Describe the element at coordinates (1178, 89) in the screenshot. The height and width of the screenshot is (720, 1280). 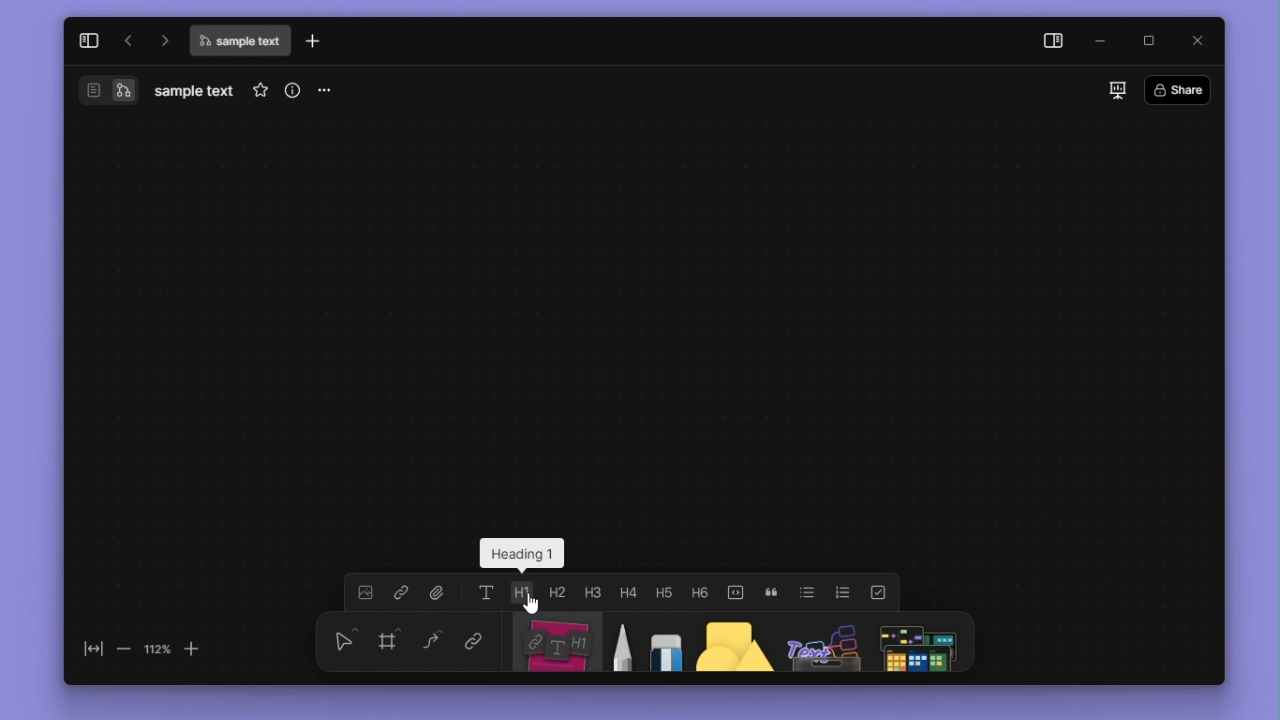
I see `share` at that location.